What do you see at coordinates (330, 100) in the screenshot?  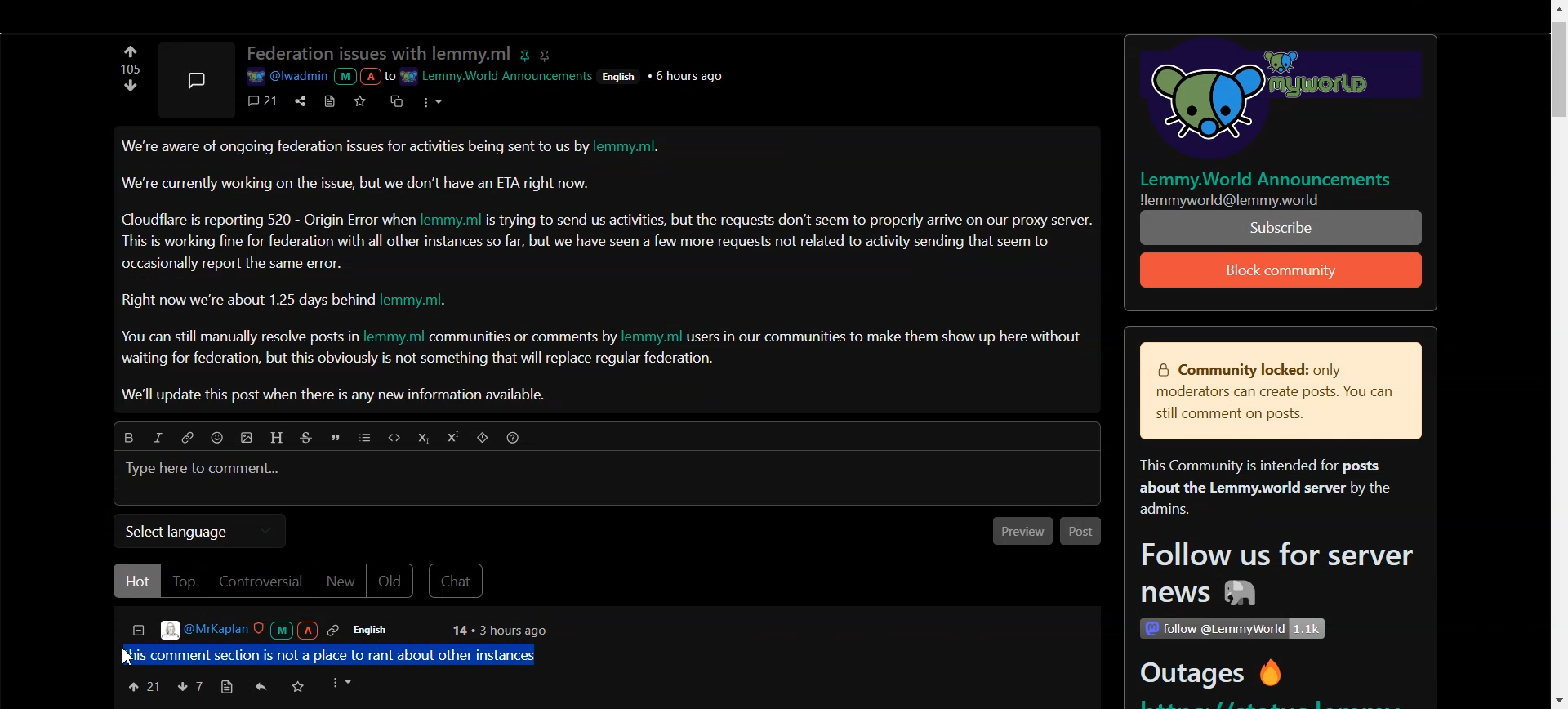 I see `view source` at bounding box center [330, 100].